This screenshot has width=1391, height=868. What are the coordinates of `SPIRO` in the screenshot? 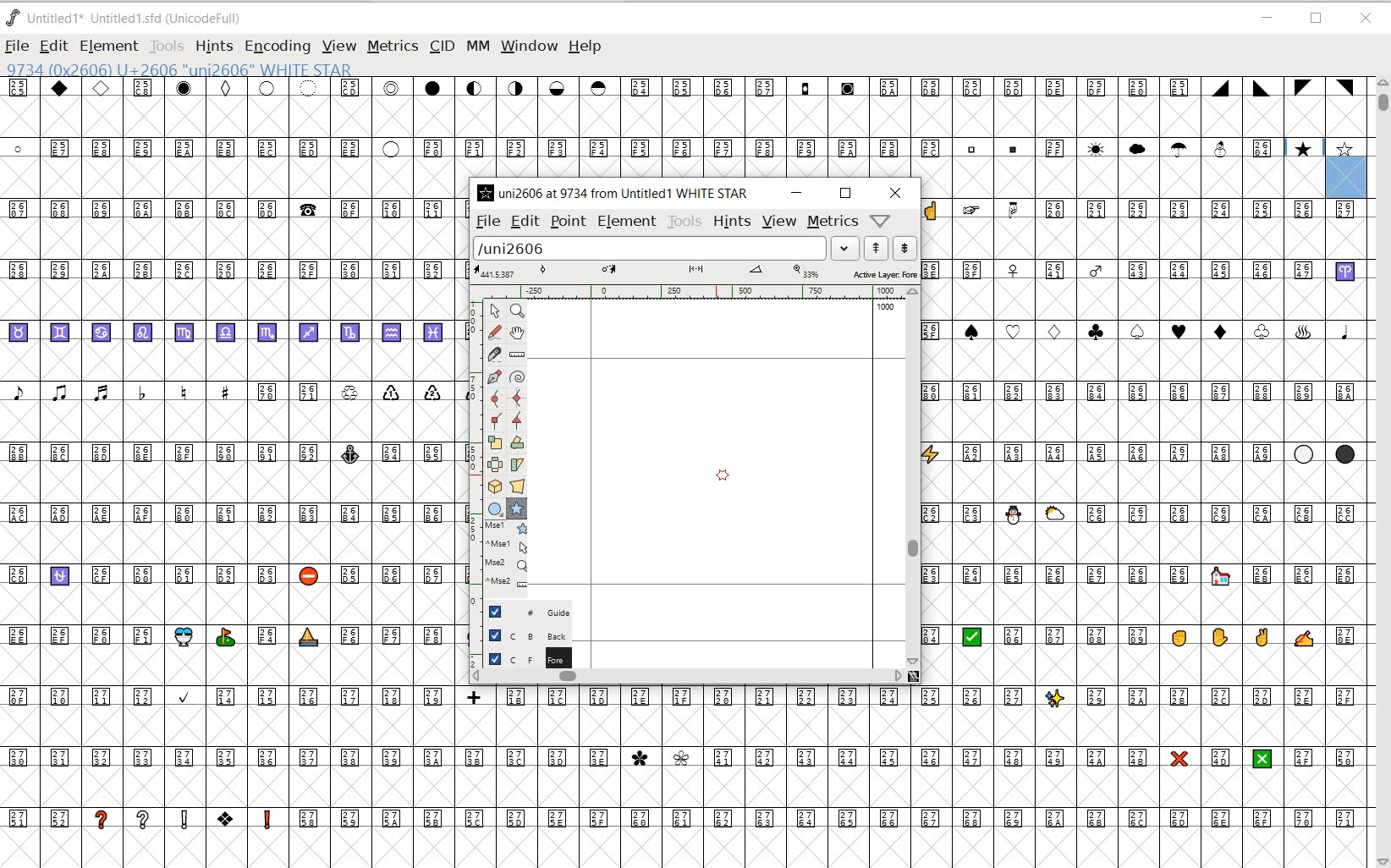 It's located at (518, 377).